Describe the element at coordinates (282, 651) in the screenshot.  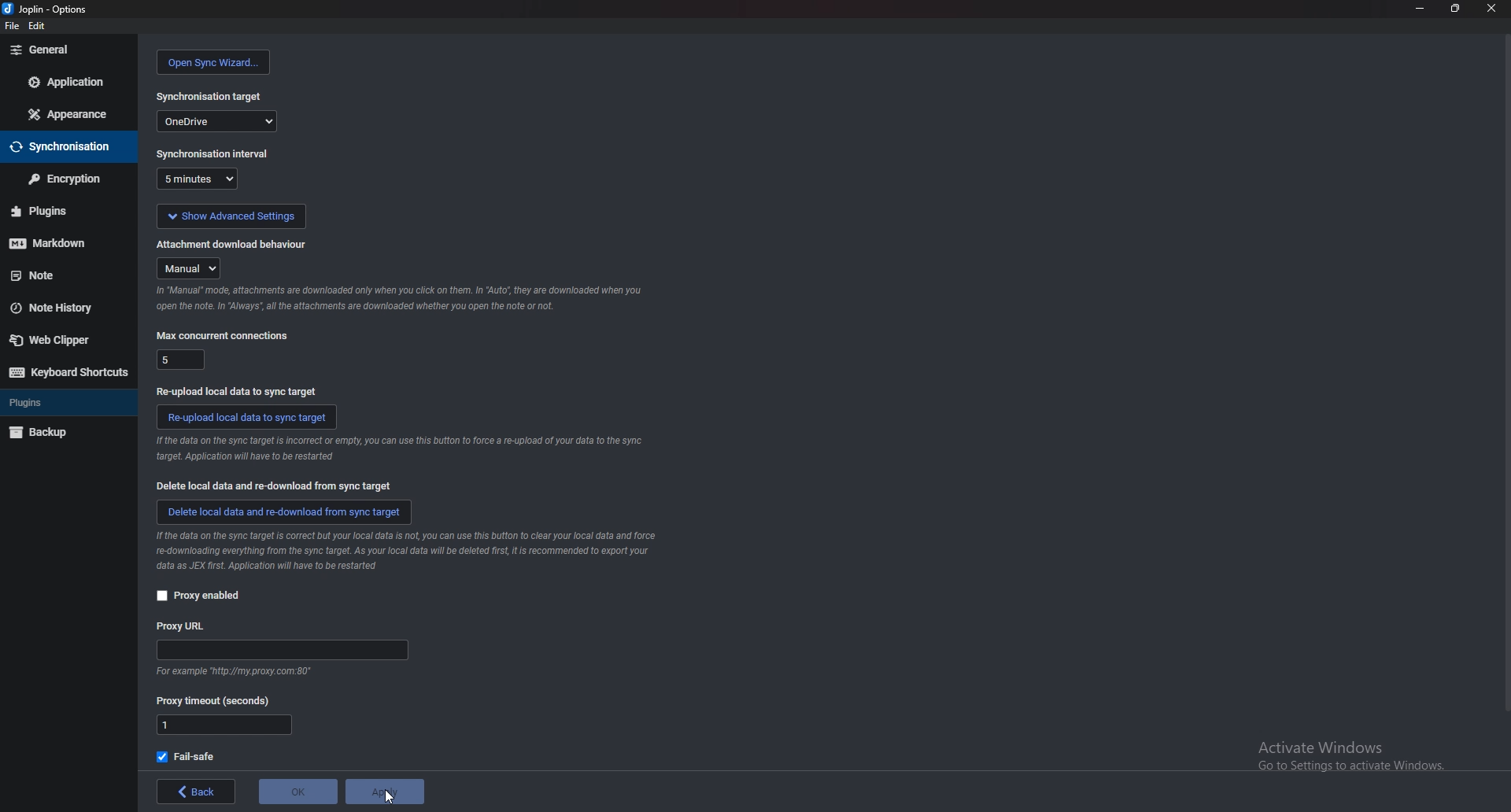
I see `path url` at that location.